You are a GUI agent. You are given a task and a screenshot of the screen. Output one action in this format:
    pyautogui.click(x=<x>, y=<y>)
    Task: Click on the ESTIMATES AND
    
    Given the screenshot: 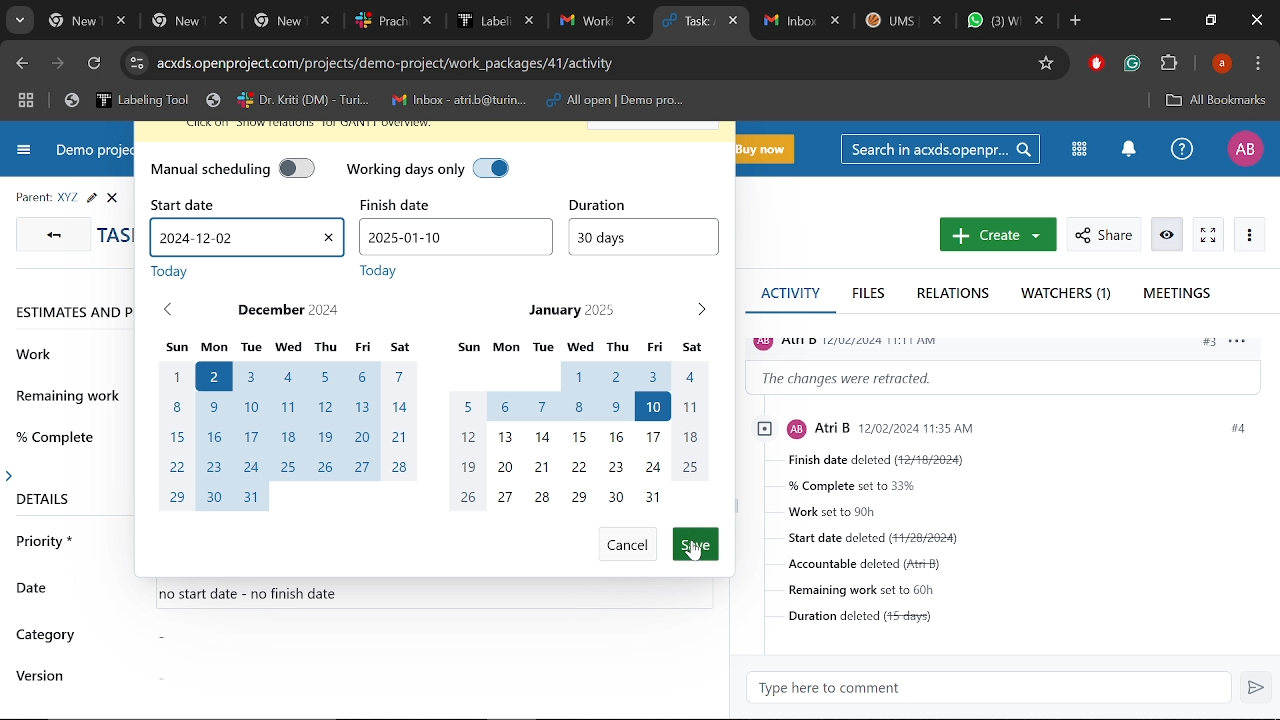 What is the action you would take?
    pyautogui.click(x=69, y=310)
    